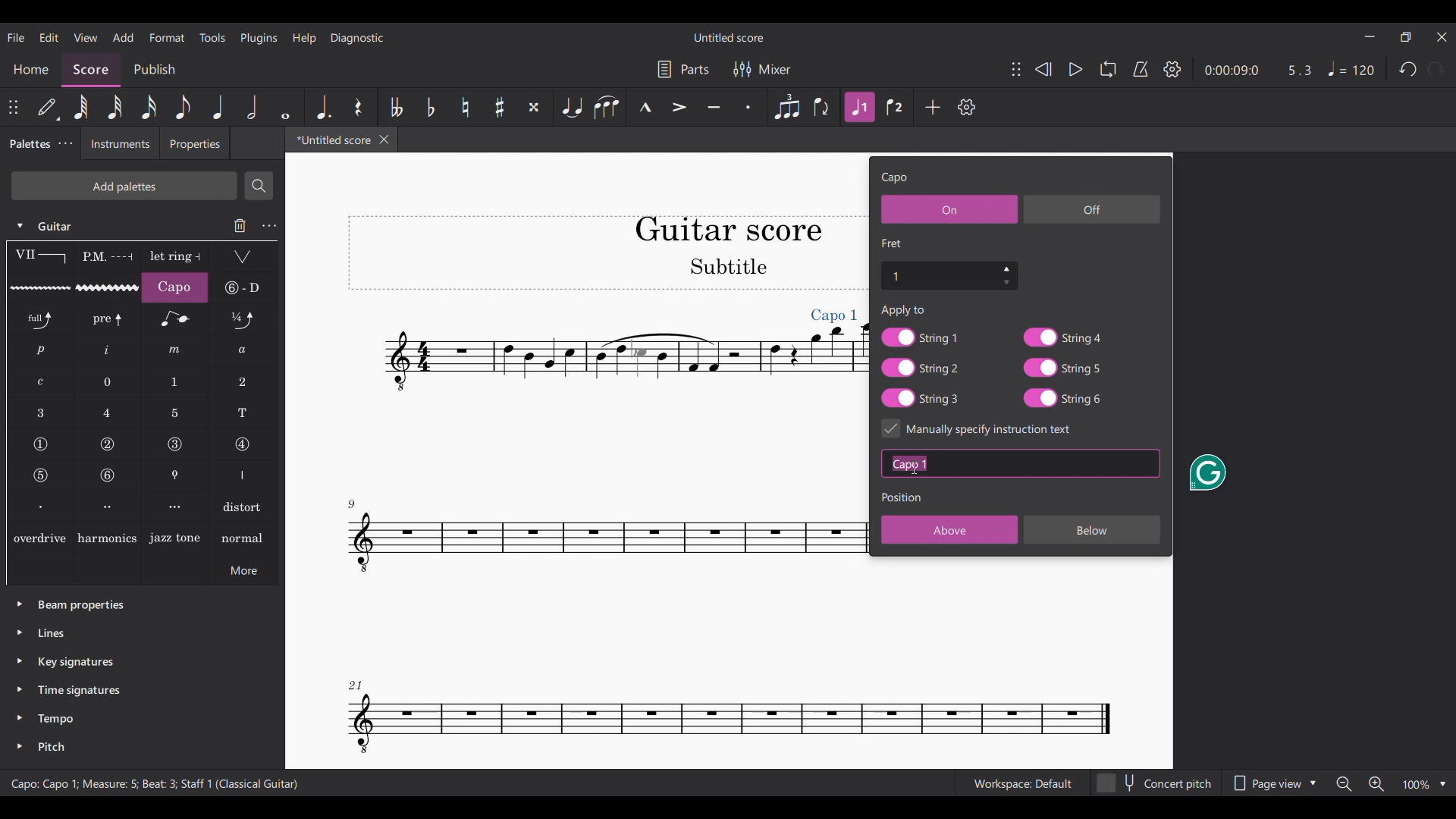 The height and width of the screenshot is (819, 1456). Describe the element at coordinates (106, 257) in the screenshot. I see `Palm mute` at that location.